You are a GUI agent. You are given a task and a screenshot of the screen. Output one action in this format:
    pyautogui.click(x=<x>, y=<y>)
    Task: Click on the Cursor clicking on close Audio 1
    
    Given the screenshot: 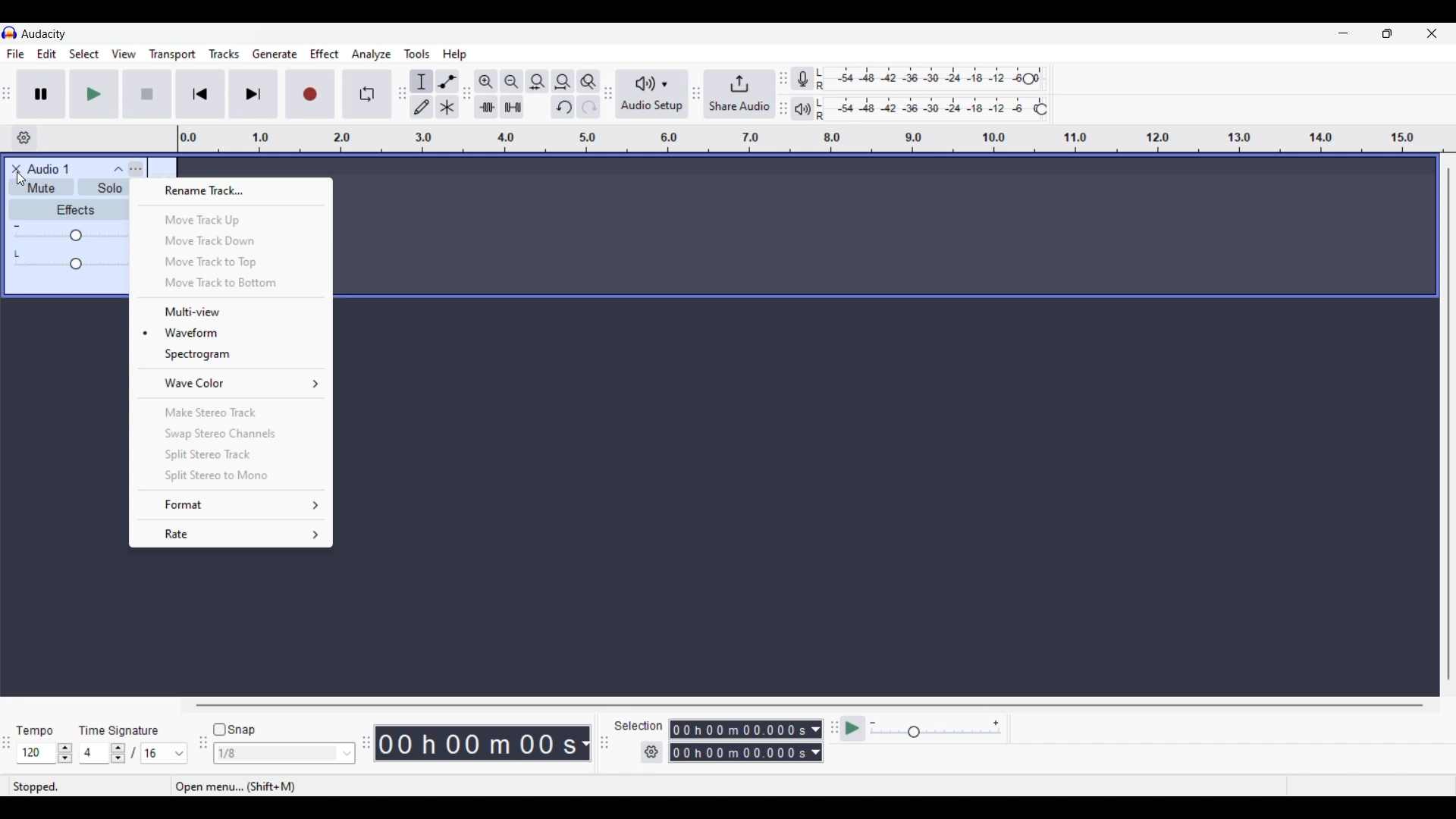 What is the action you would take?
    pyautogui.click(x=21, y=179)
    